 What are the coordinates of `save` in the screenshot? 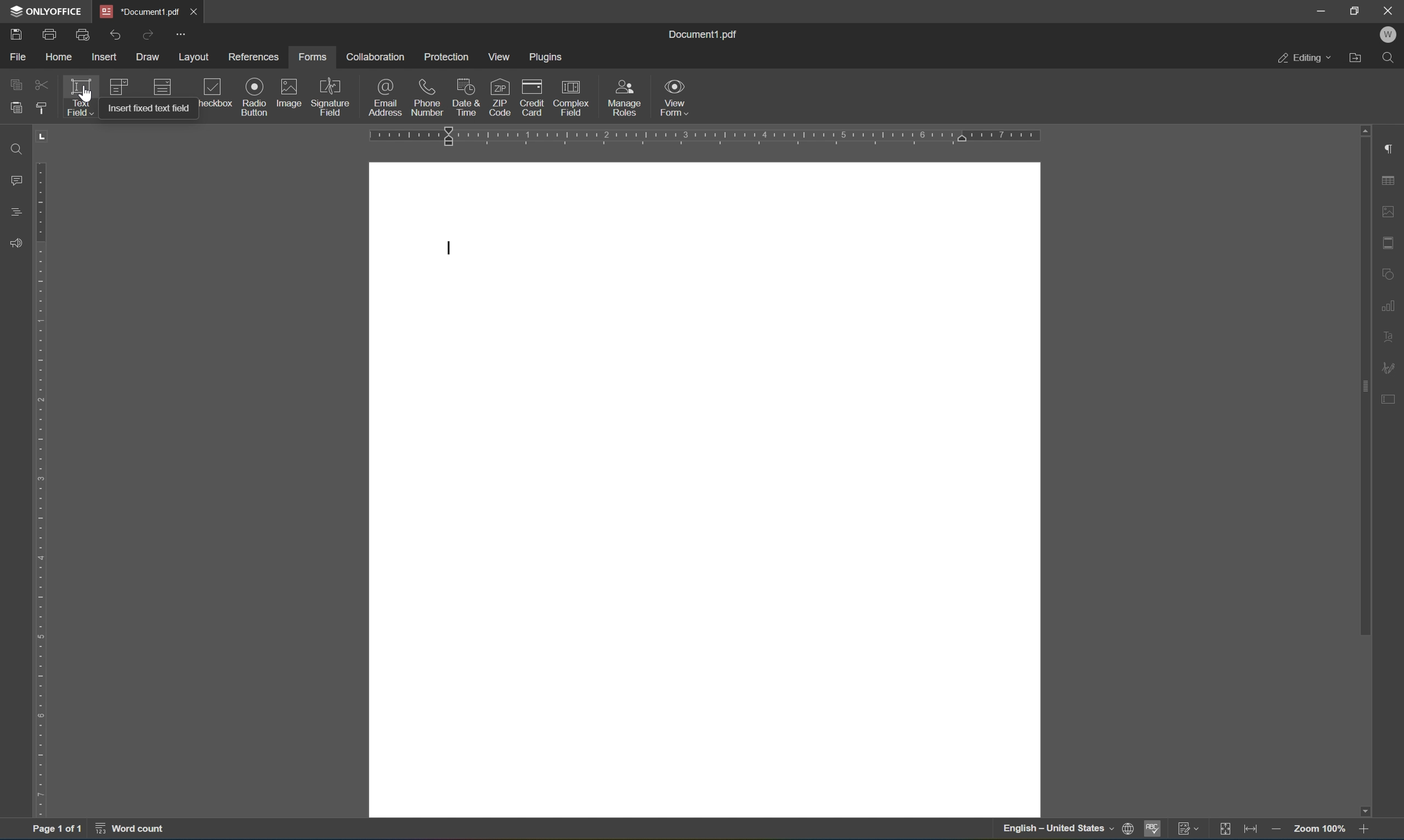 It's located at (16, 36).